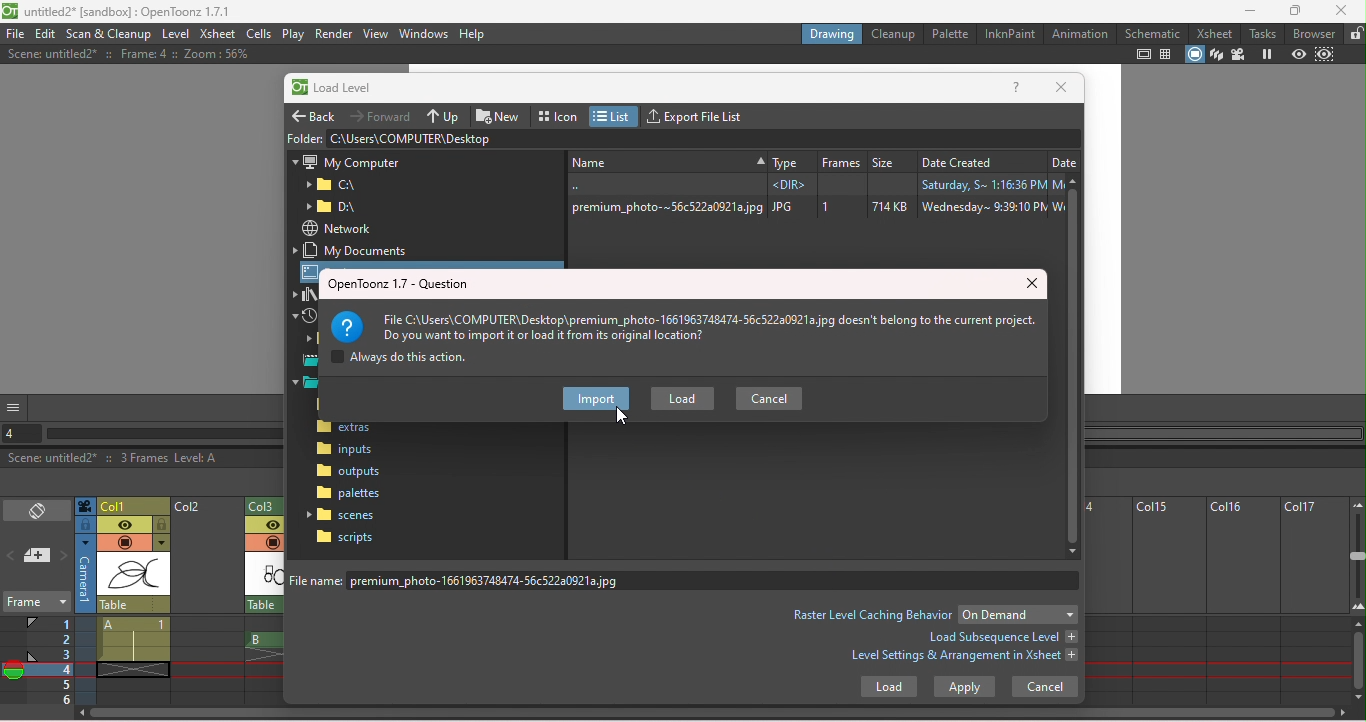 The width and height of the screenshot is (1366, 722). What do you see at coordinates (15, 34) in the screenshot?
I see `file` at bounding box center [15, 34].